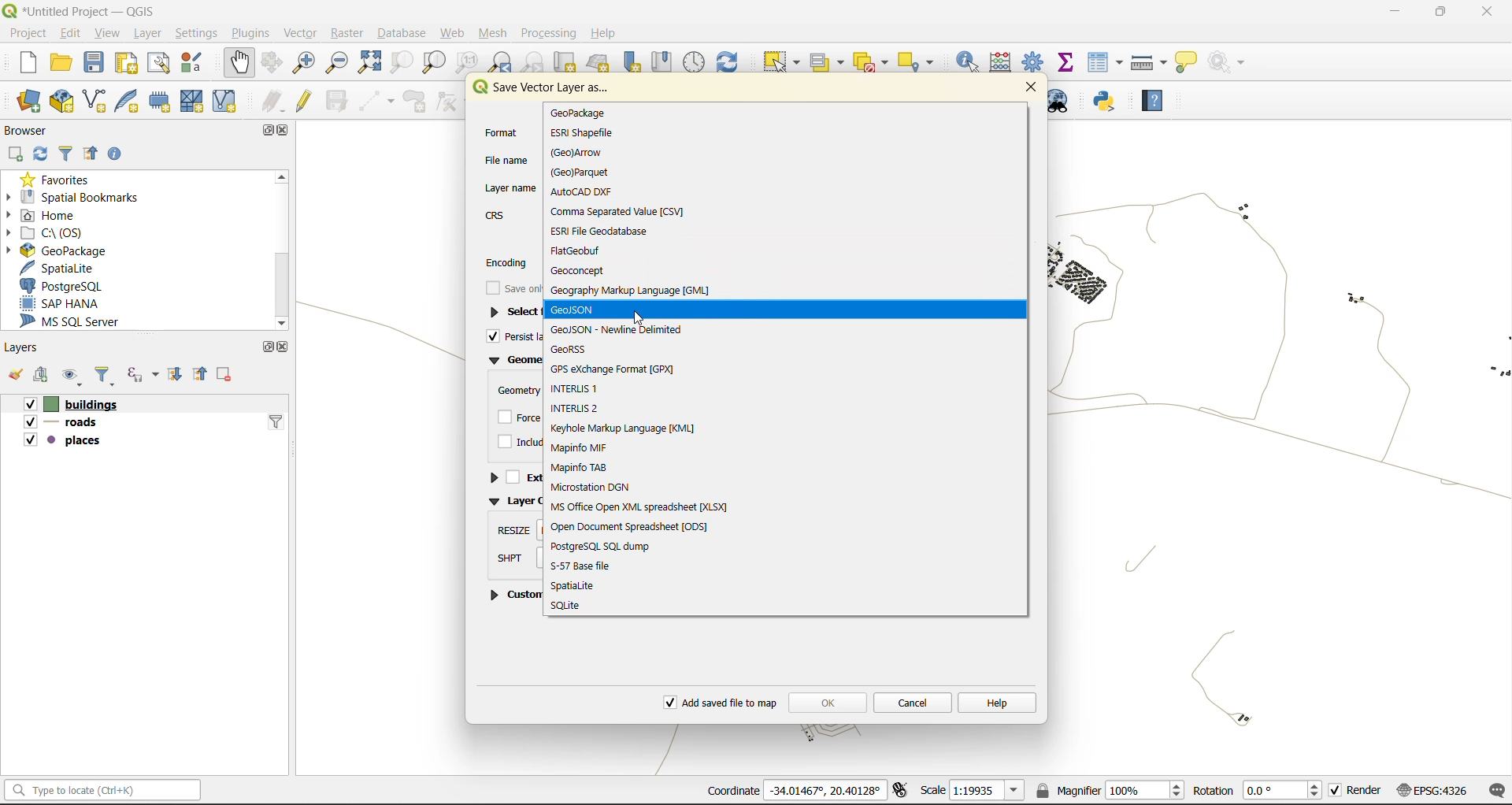 The width and height of the screenshot is (1512, 805). What do you see at coordinates (1185, 64) in the screenshot?
I see `show tips` at bounding box center [1185, 64].